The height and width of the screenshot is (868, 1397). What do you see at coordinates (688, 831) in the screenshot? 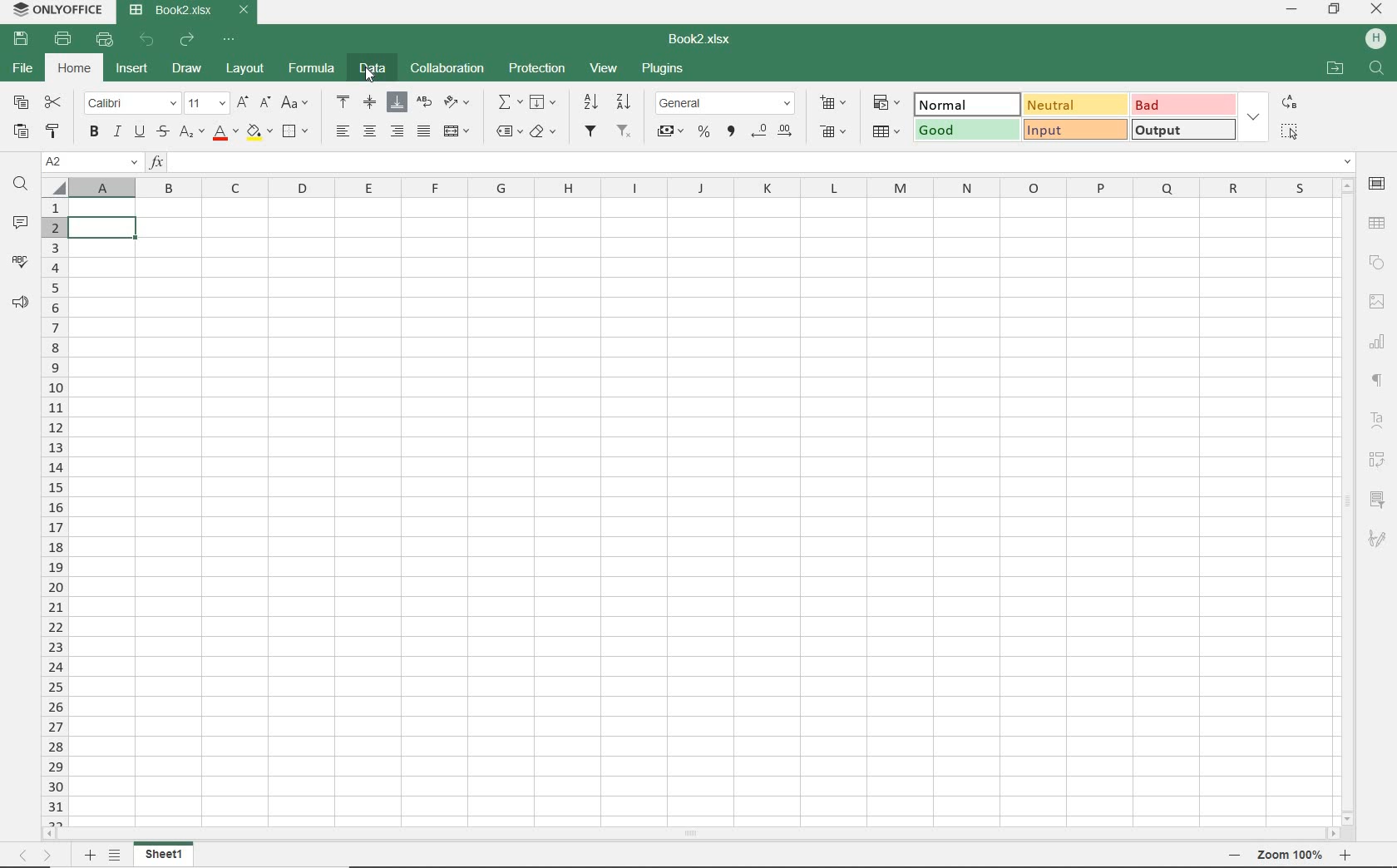
I see `SCROLLBAR` at bounding box center [688, 831].